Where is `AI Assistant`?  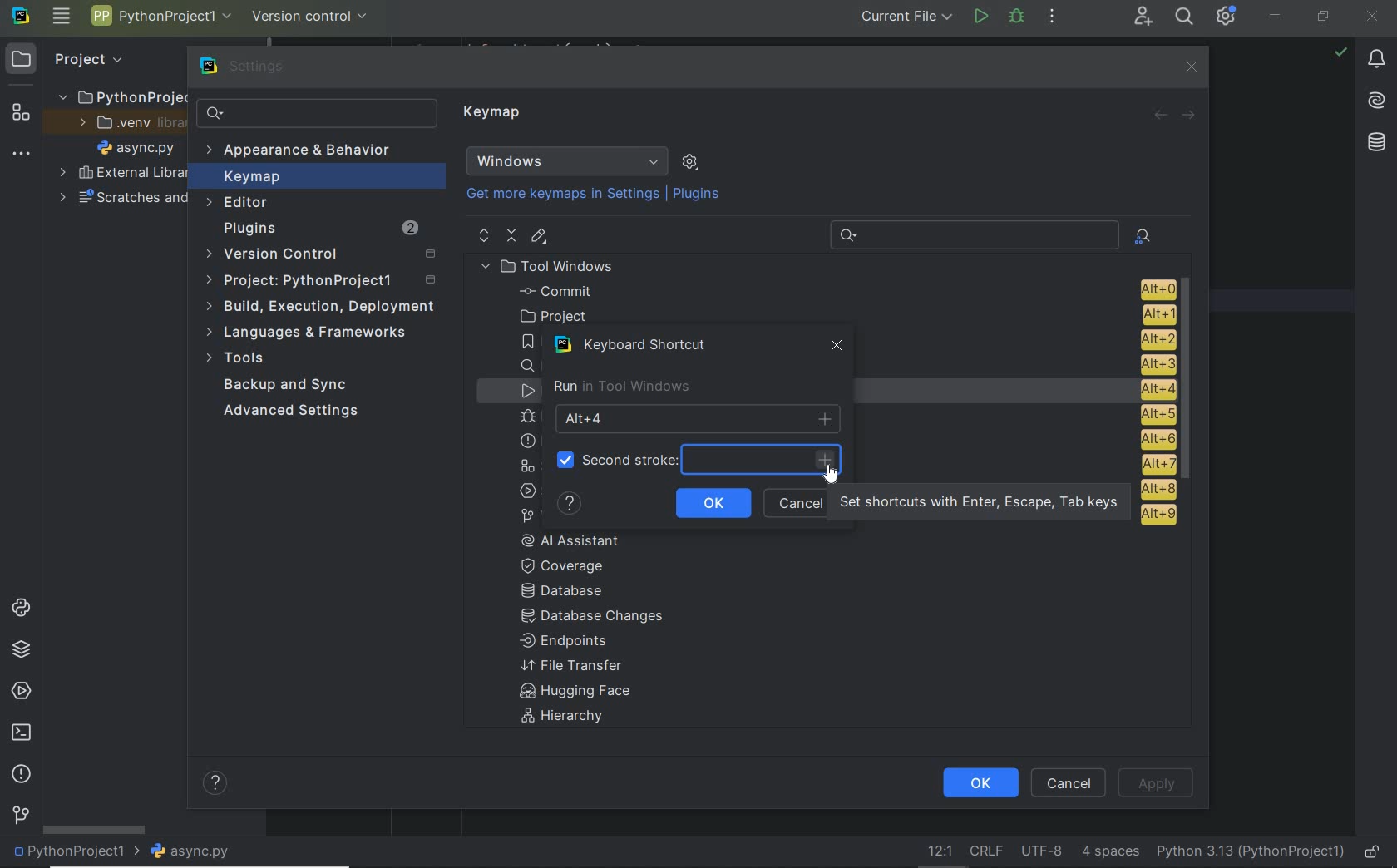 AI Assistant is located at coordinates (1378, 102).